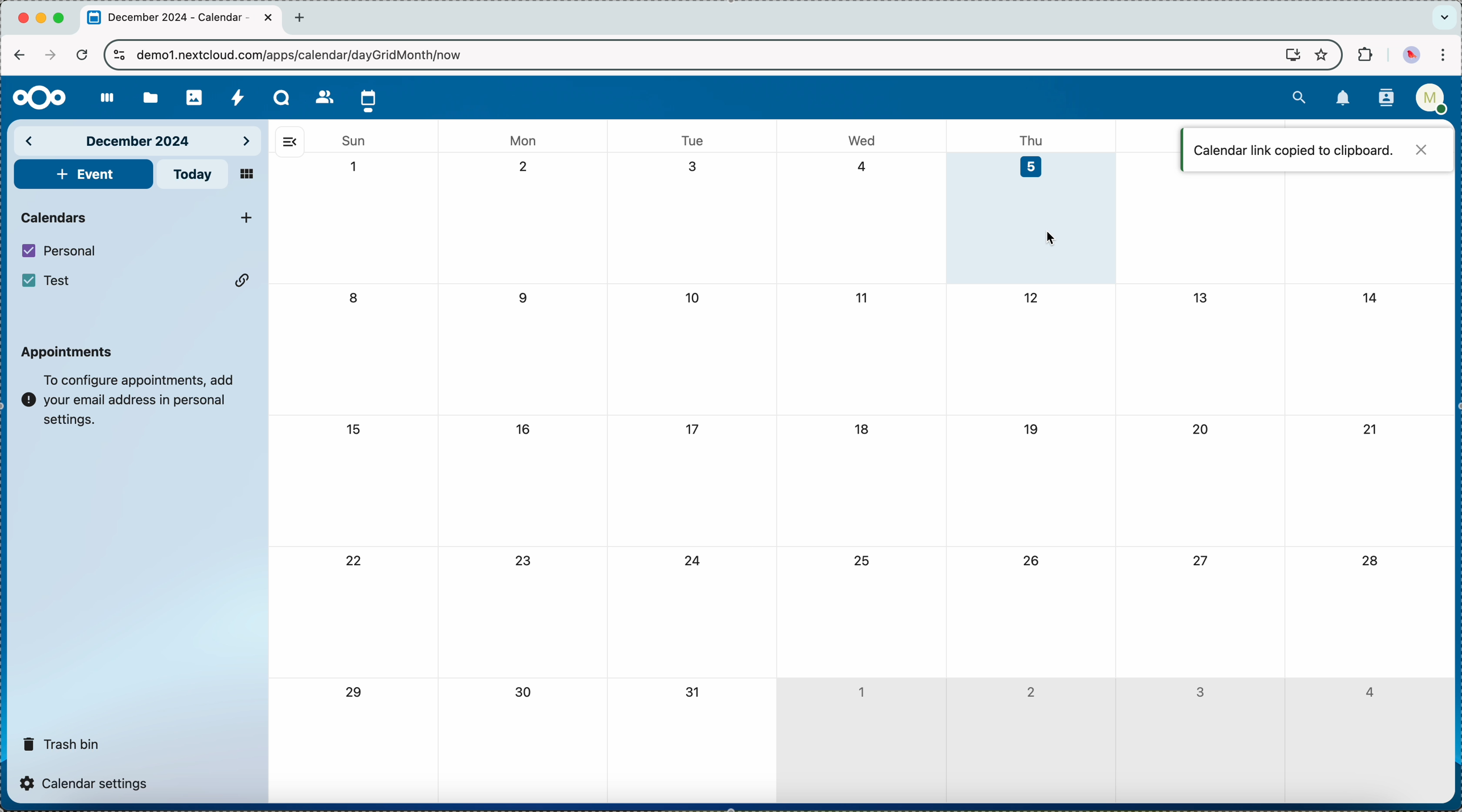  Describe the element at coordinates (56, 216) in the screenshot. I see `calendars` at that location.